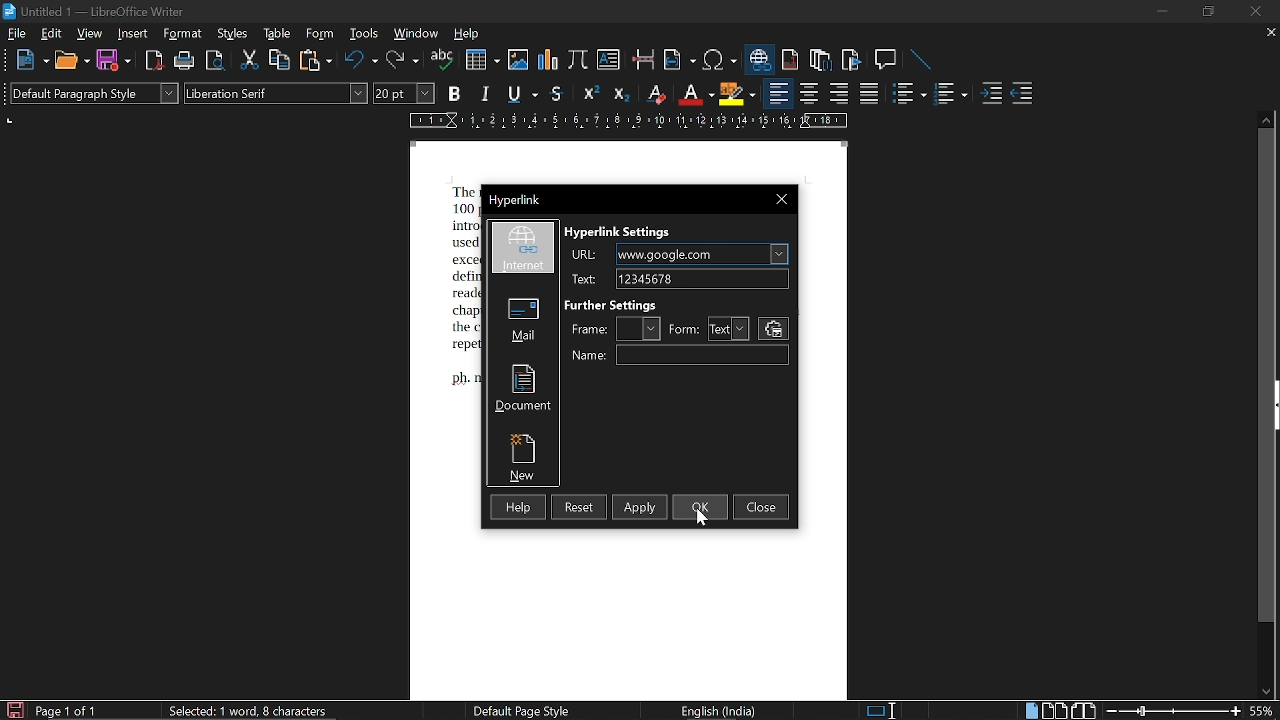 The height and width of the screenshot is (720, 1280). Describe the element at coordinates (415, 35) in the screenshot. I see `window` at that location.